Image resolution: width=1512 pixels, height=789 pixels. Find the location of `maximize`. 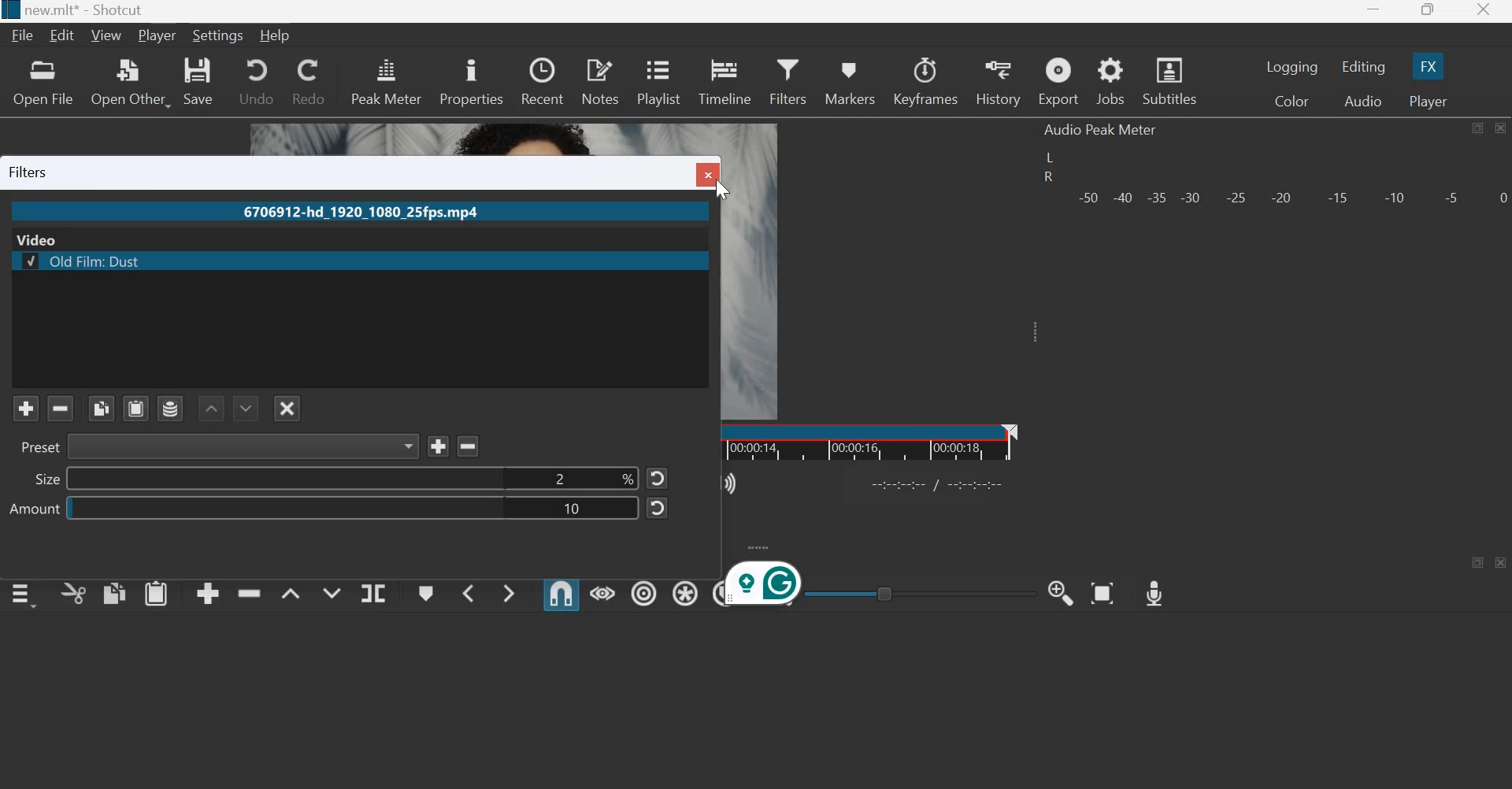

maximize is located at coordinates (1477, 128).